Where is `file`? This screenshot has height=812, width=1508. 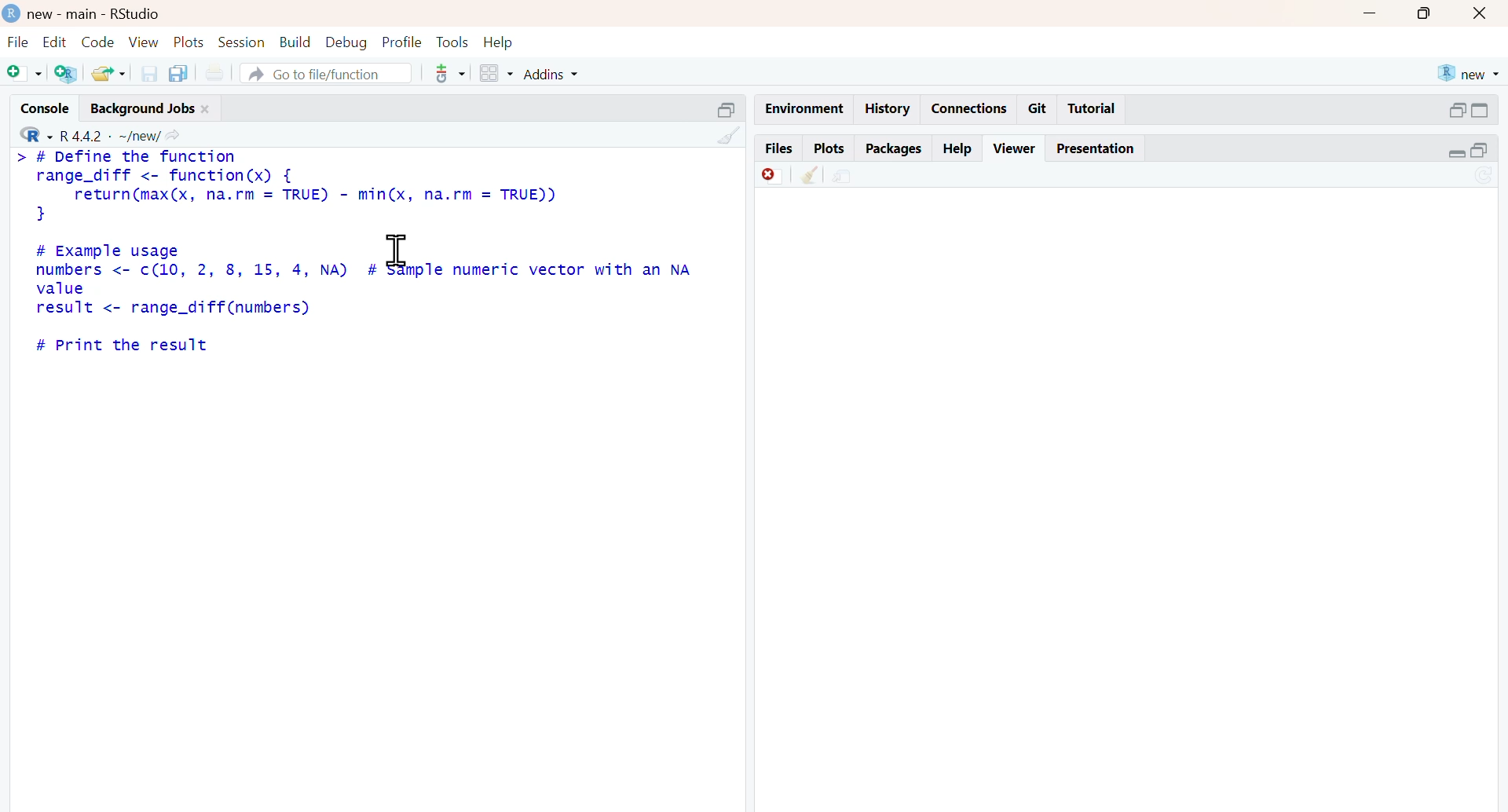
file is located at coordinates (19, 42).